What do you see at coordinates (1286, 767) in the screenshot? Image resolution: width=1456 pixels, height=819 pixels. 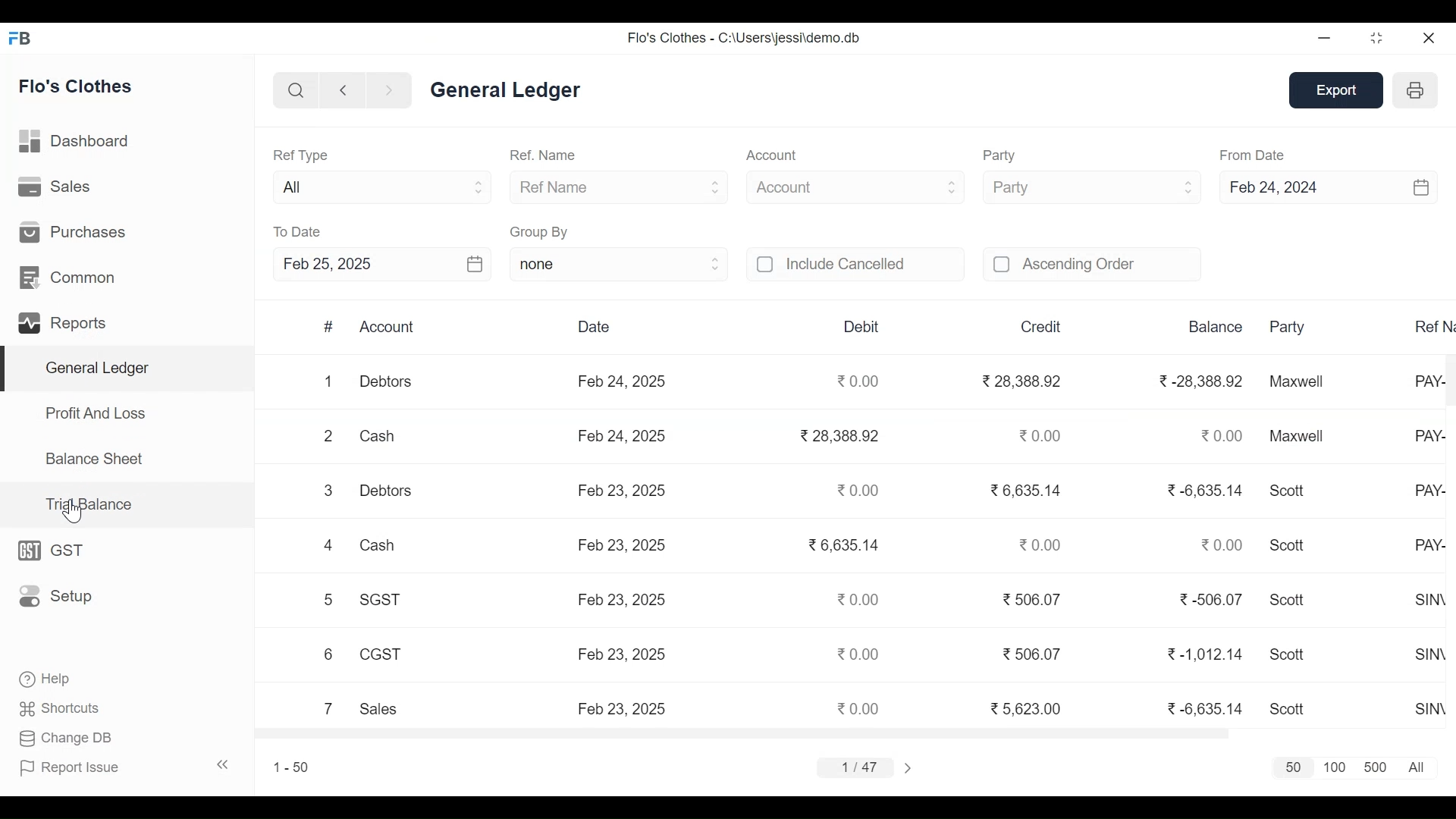 I see `50` at bounding box center [1286, 767].